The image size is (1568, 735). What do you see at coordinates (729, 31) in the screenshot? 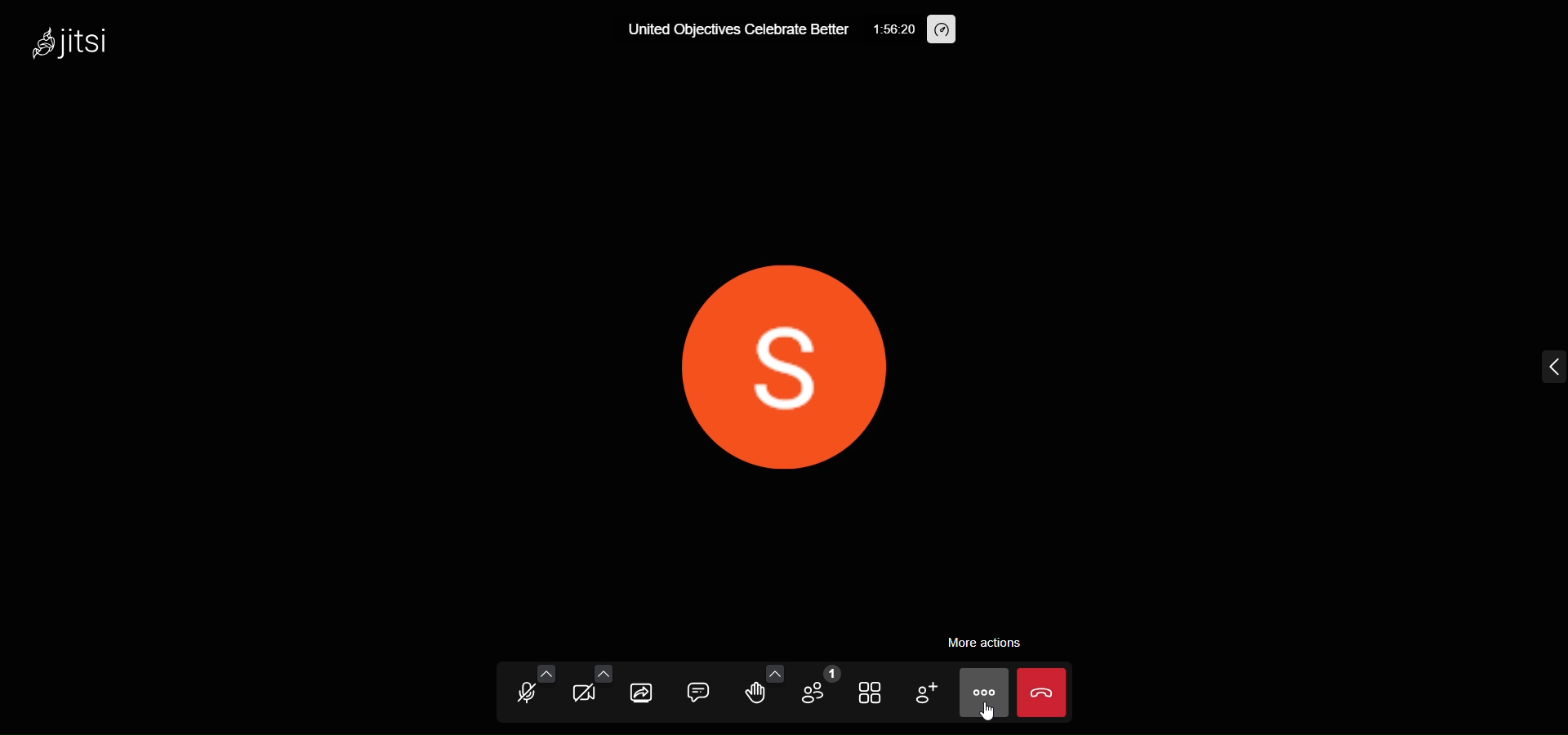
I see `United Objectives Celebrate Better` at bounding box center [729, 31].